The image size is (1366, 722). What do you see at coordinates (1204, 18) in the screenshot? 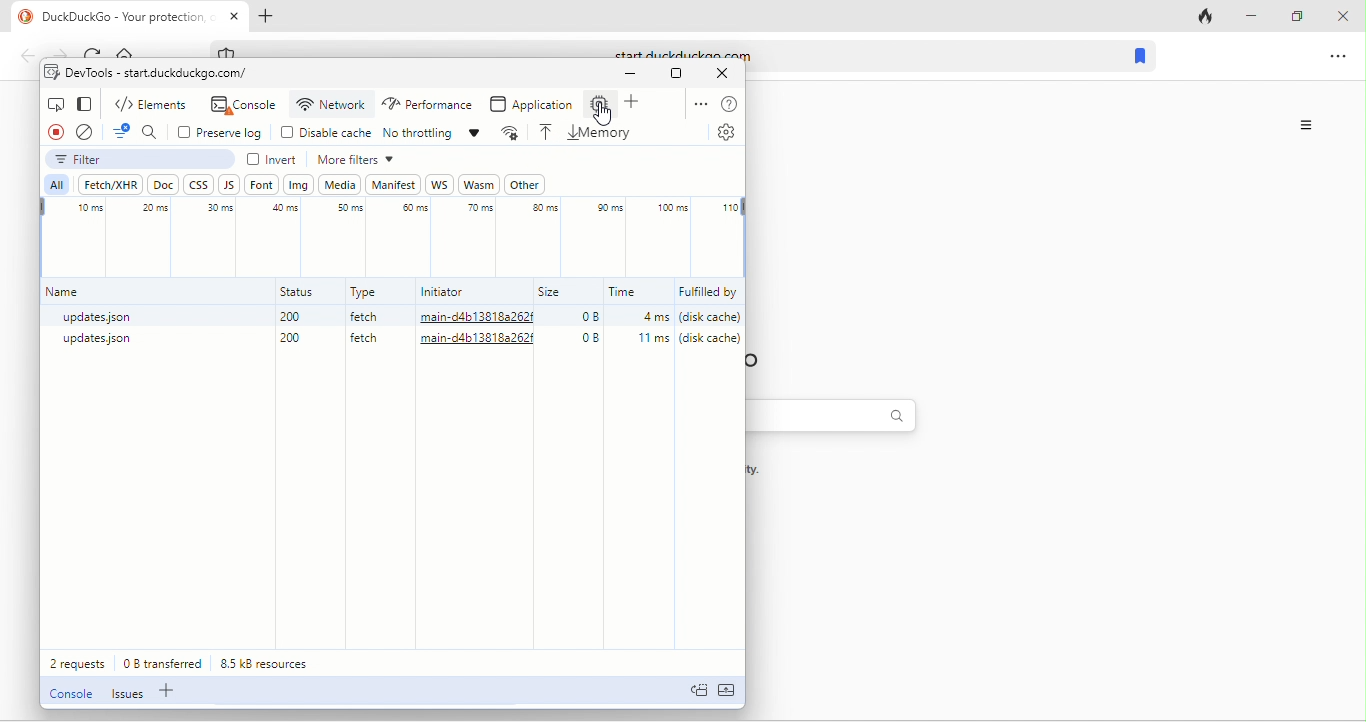
I see `track tab` at bounding box center [1204, 18].